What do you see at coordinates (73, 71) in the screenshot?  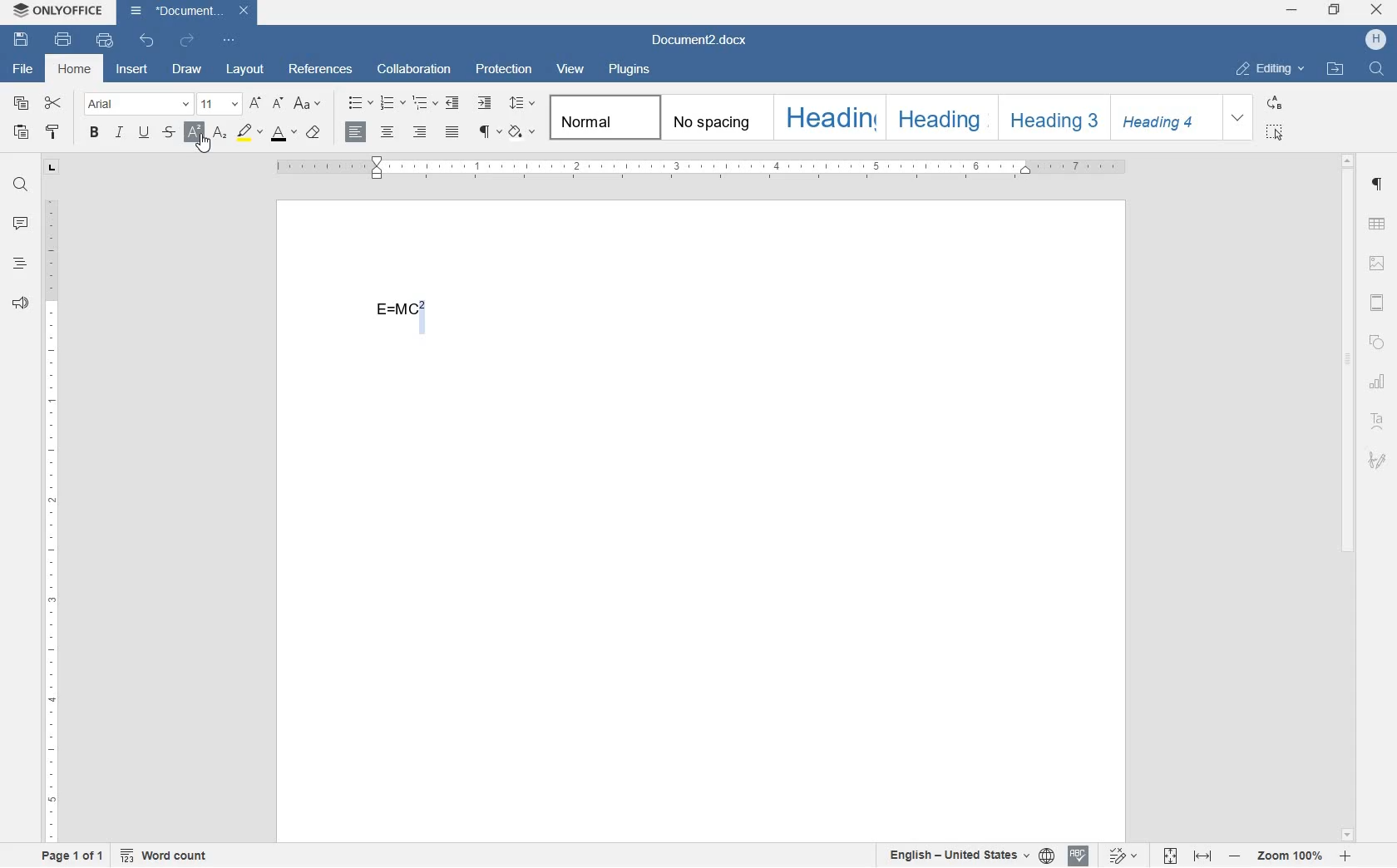 I see `home` at bounding box center [73, 71].